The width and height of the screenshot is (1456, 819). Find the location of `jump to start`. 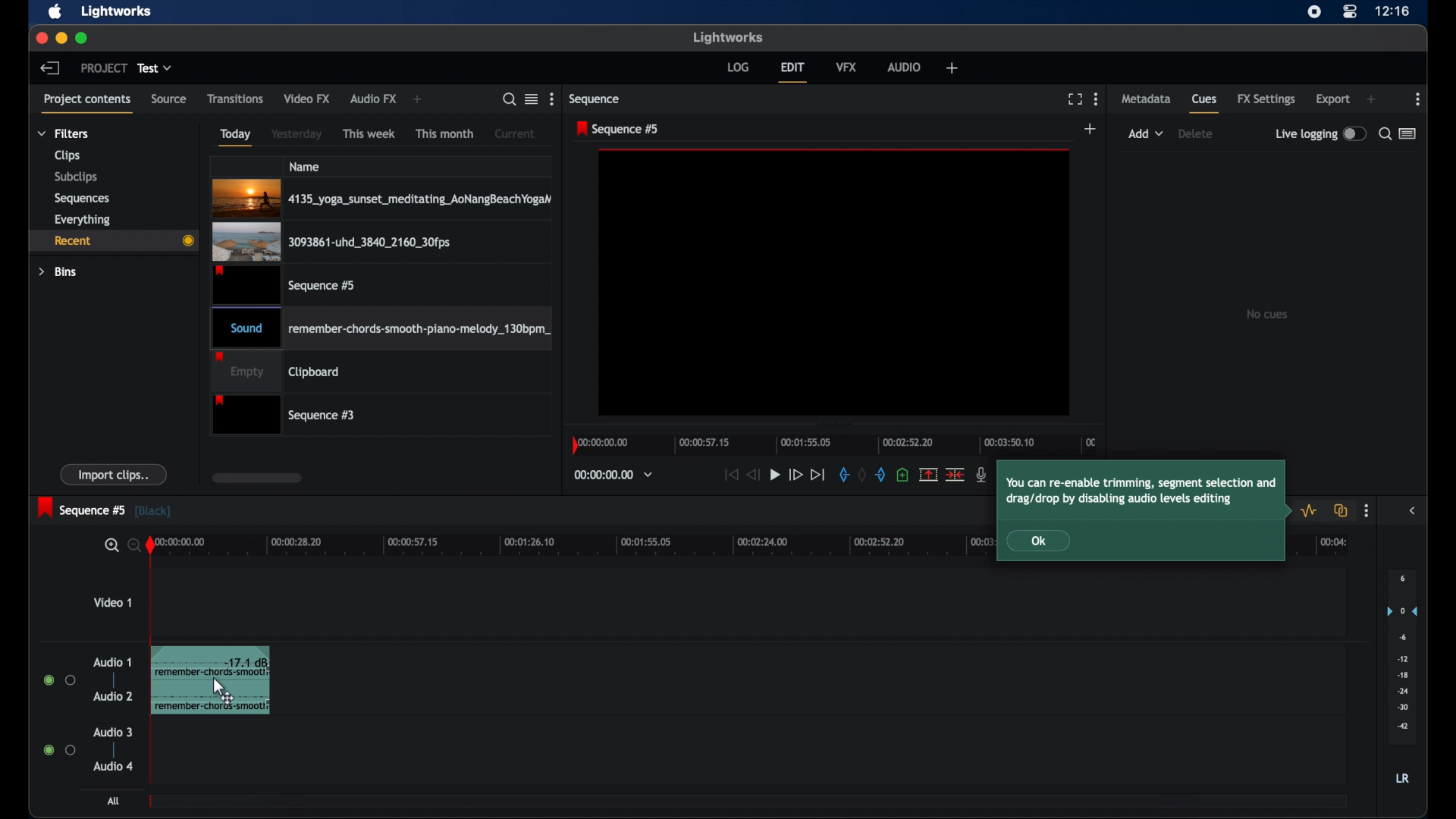

jump to start is located at coordinates (730, 475).